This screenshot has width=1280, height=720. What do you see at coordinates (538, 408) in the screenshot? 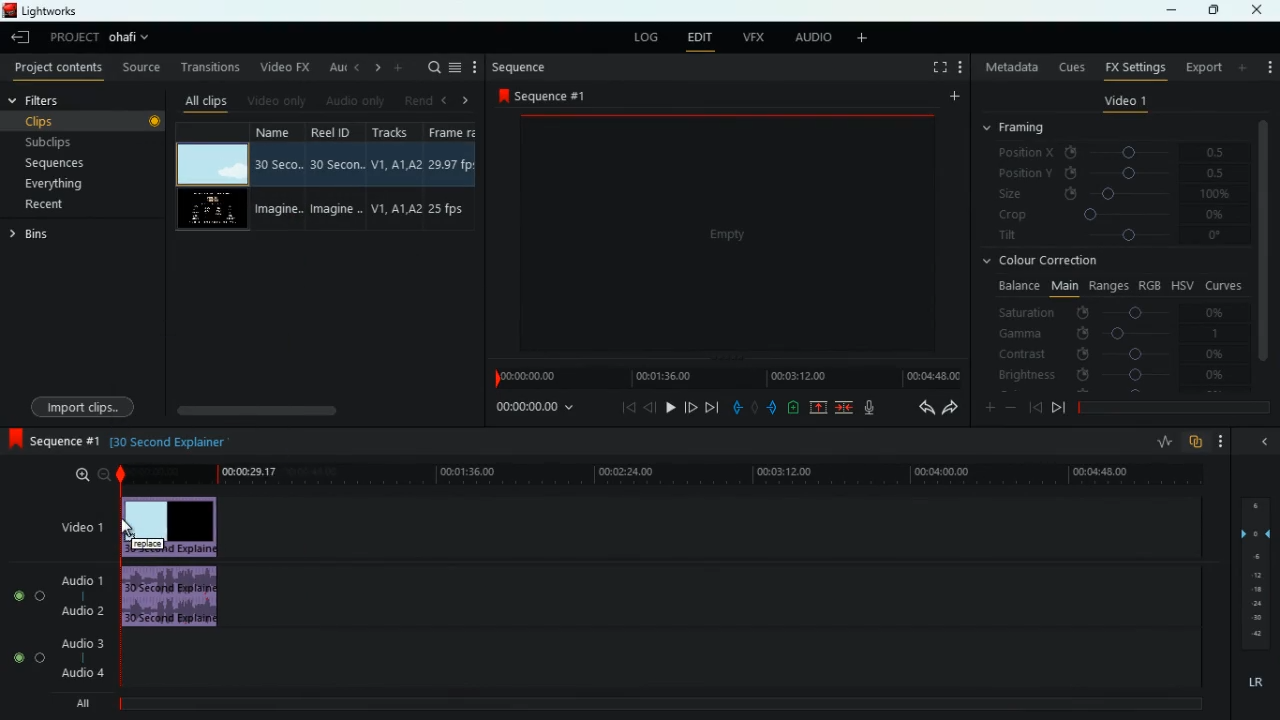
I see `time` at bounding box center [538, 408].